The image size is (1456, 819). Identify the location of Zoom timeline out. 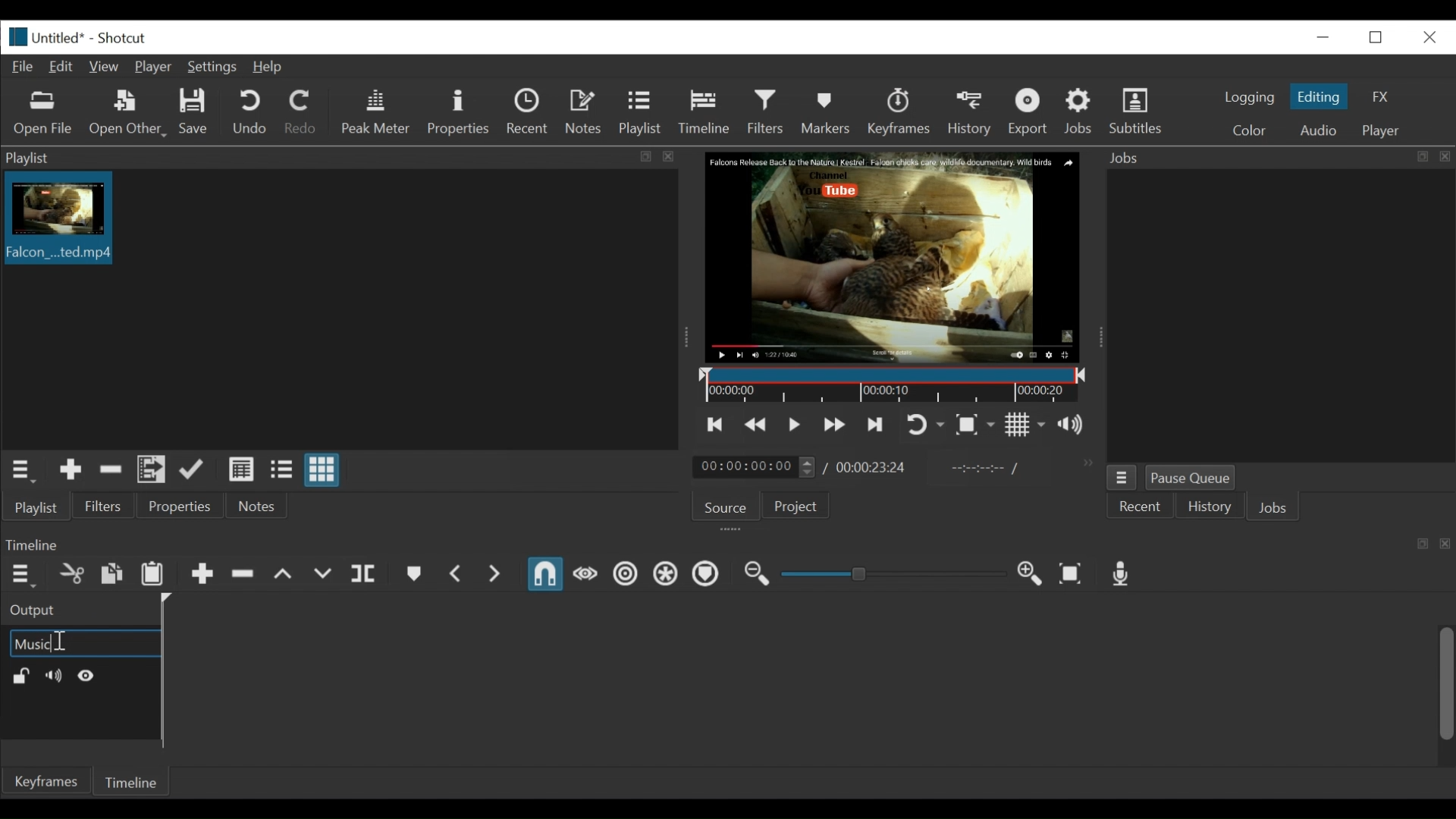
(755, 574).